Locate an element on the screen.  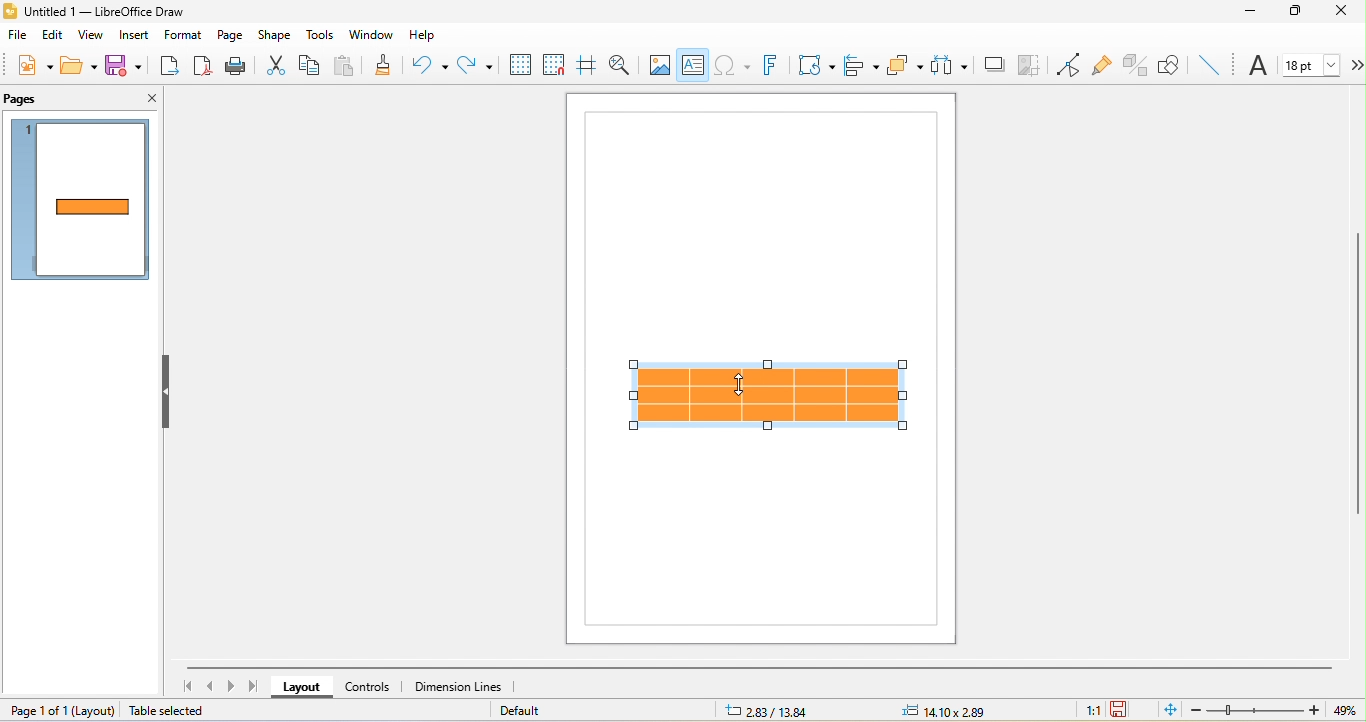
zoom is located at coordinates (1254, 711).